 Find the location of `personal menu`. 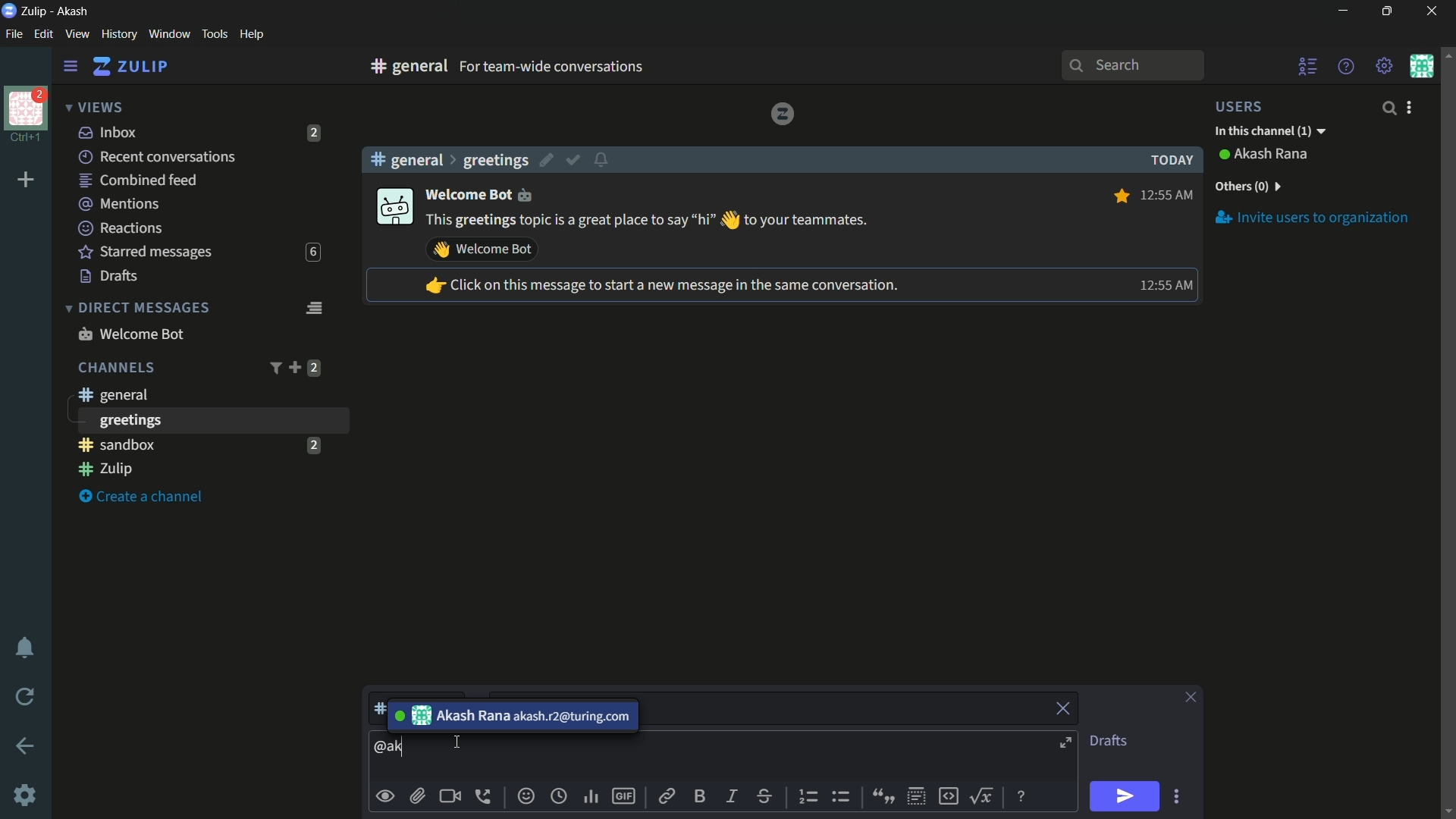

personal menu is located at coordinates (1421, 66).